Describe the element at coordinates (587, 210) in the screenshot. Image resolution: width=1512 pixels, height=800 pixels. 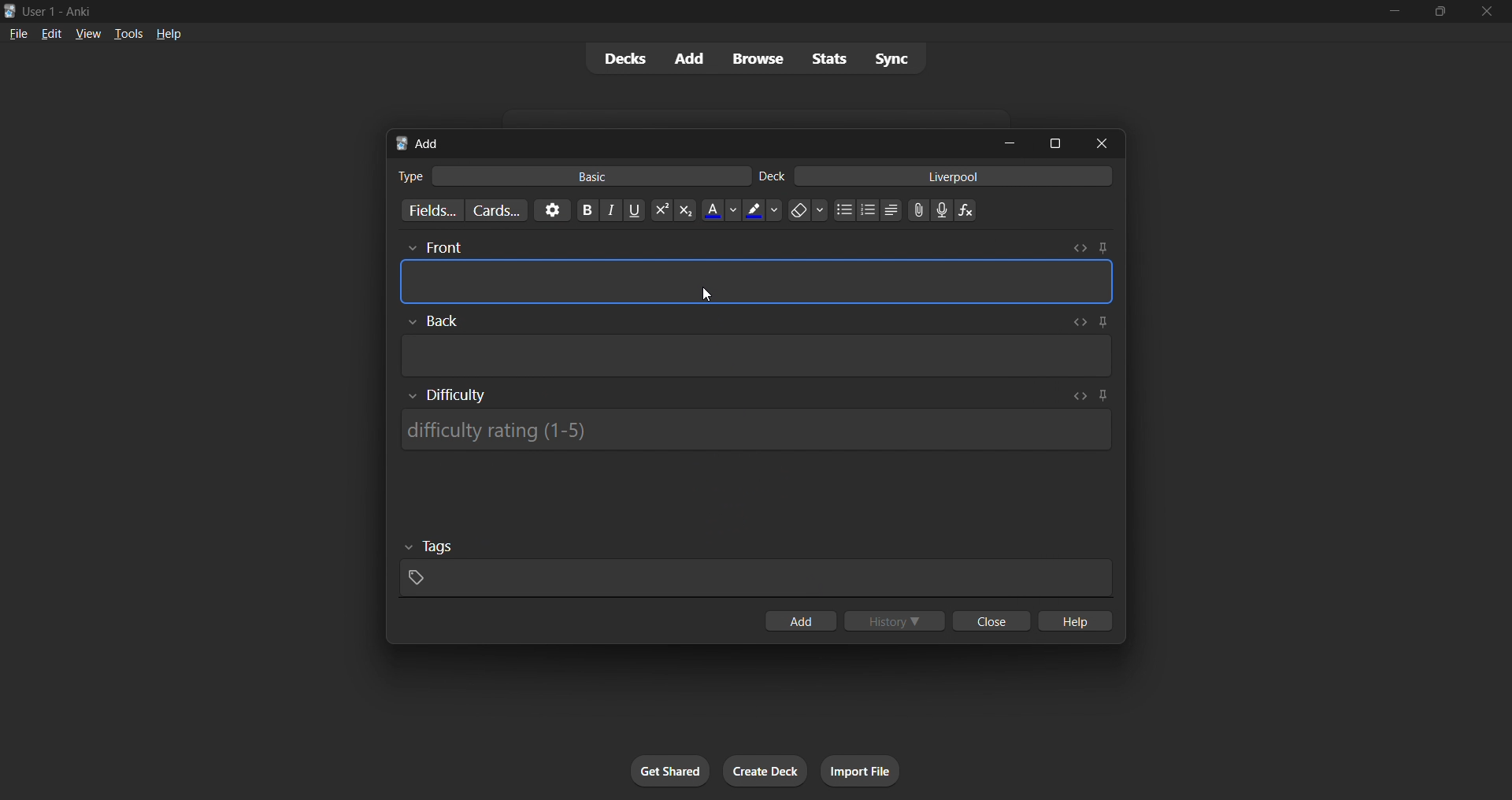
I see `Bold` at that location.